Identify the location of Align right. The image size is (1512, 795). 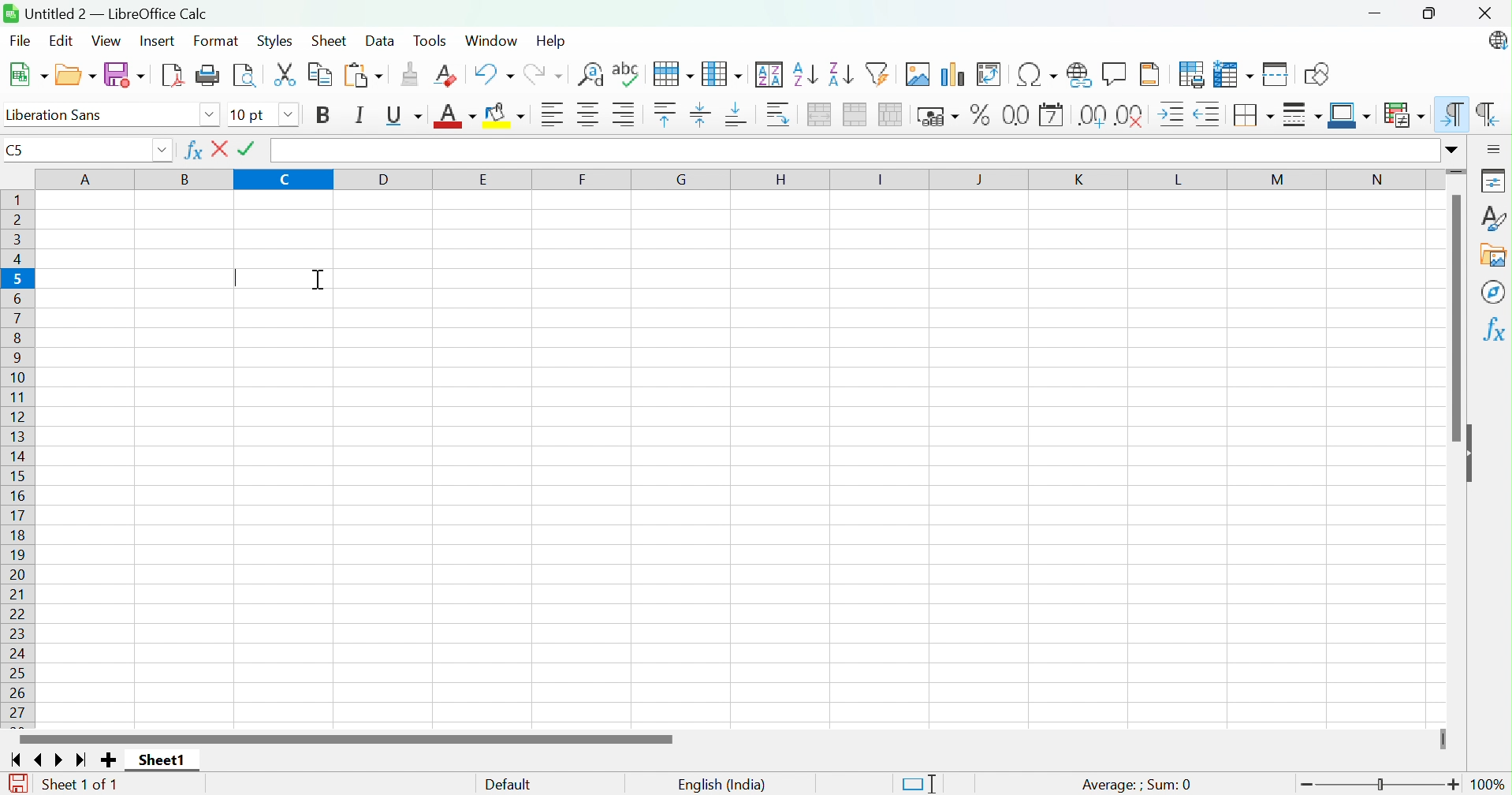
(625, 114).